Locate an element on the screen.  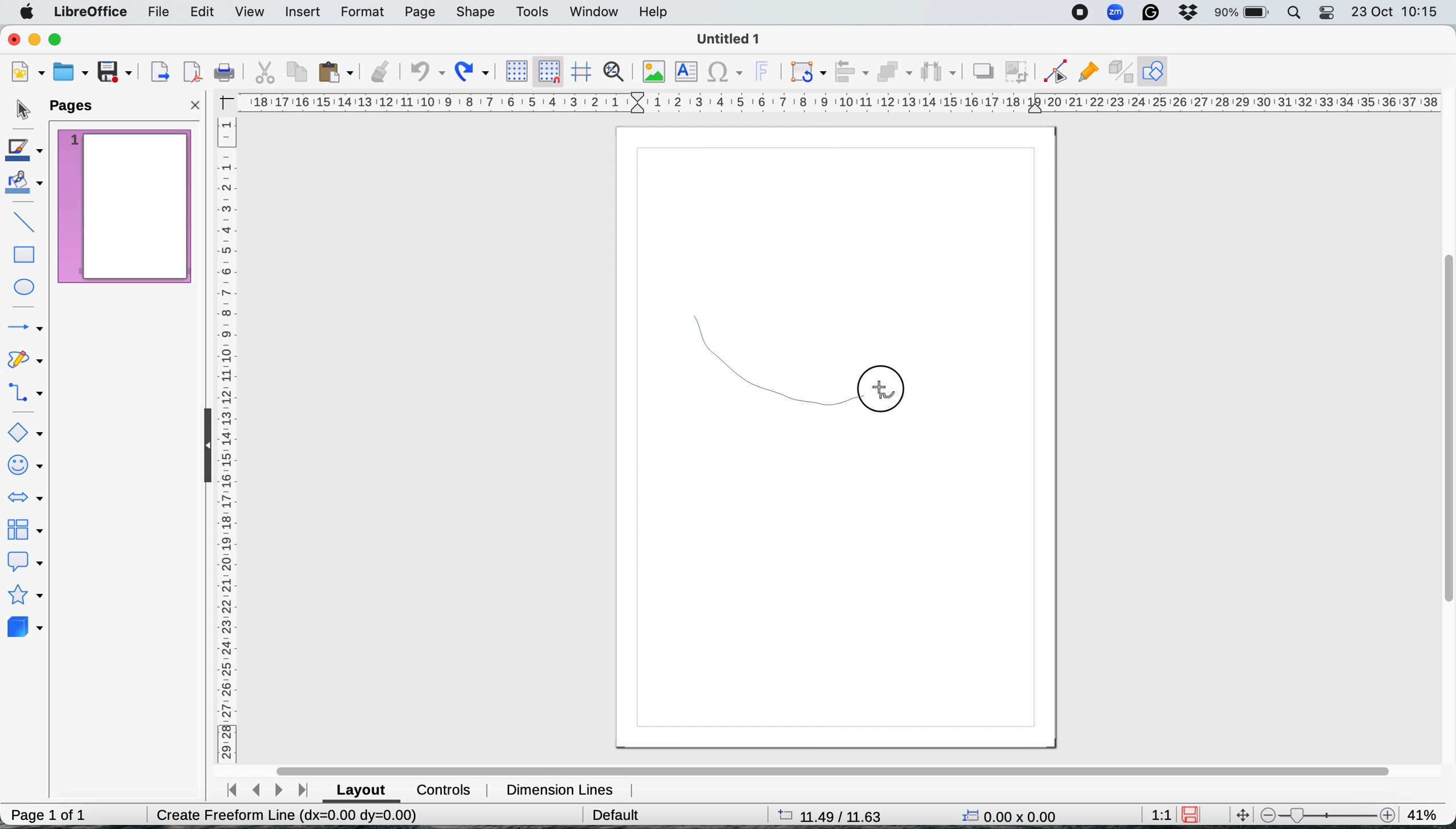
insert text is located at coordinates (689, 72).